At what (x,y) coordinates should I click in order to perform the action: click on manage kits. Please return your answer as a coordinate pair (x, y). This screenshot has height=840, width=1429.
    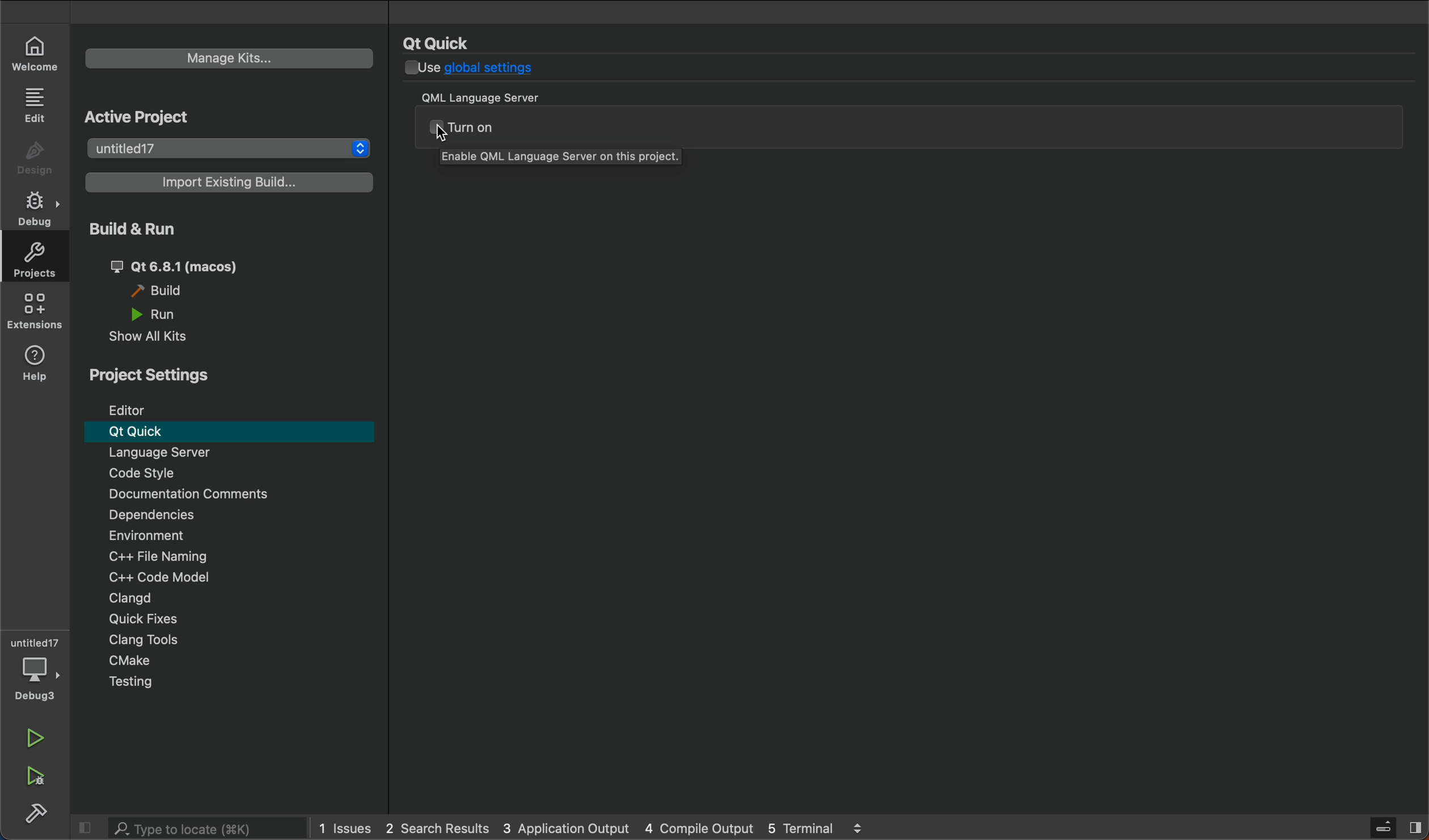
    Looking at the image, I should click on (229, 58).